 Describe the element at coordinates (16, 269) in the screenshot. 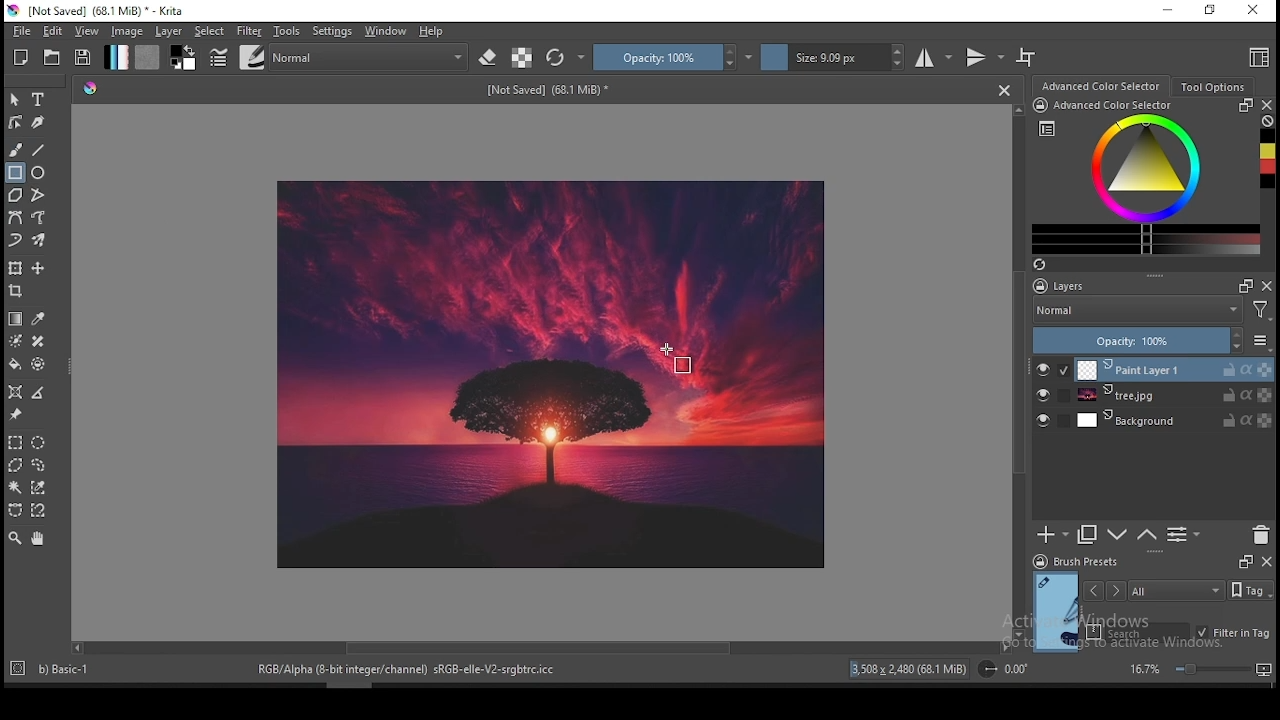

I see `transform a layer or a selection` at that location.